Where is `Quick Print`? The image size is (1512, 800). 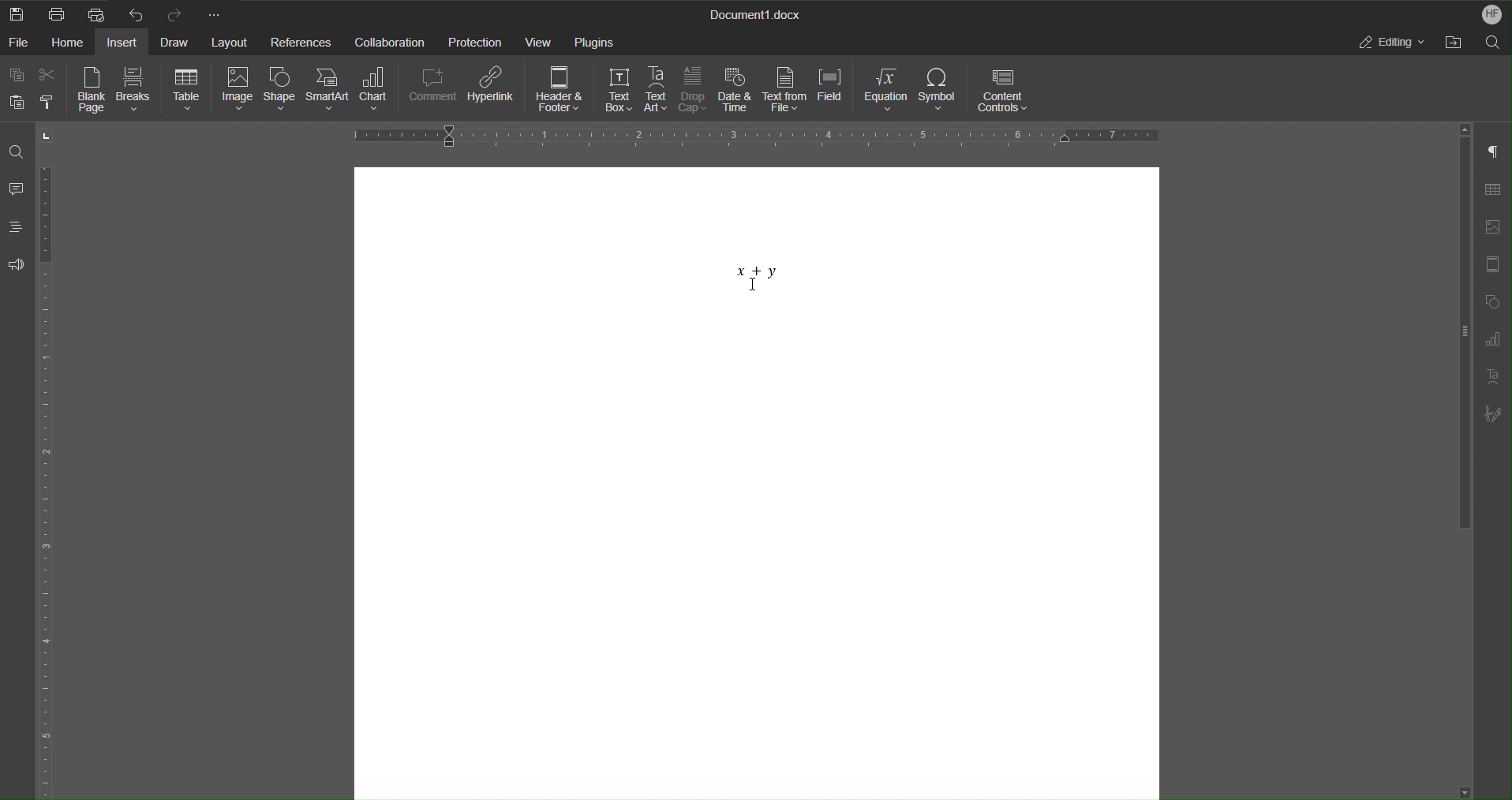
Quick Print is located at coordinates (97, 13).